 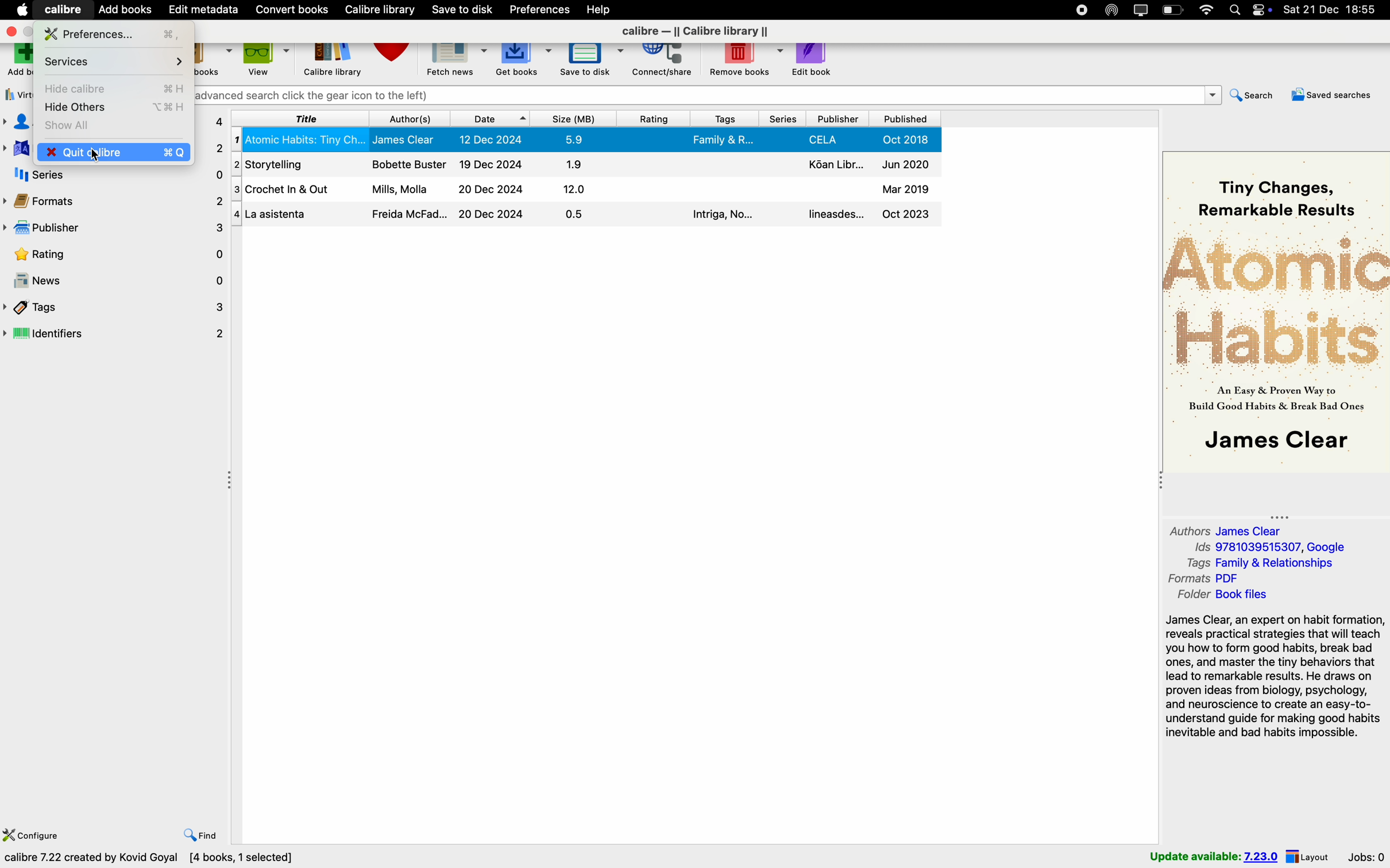 I want to click on layout, so click(x=1308, y=856).